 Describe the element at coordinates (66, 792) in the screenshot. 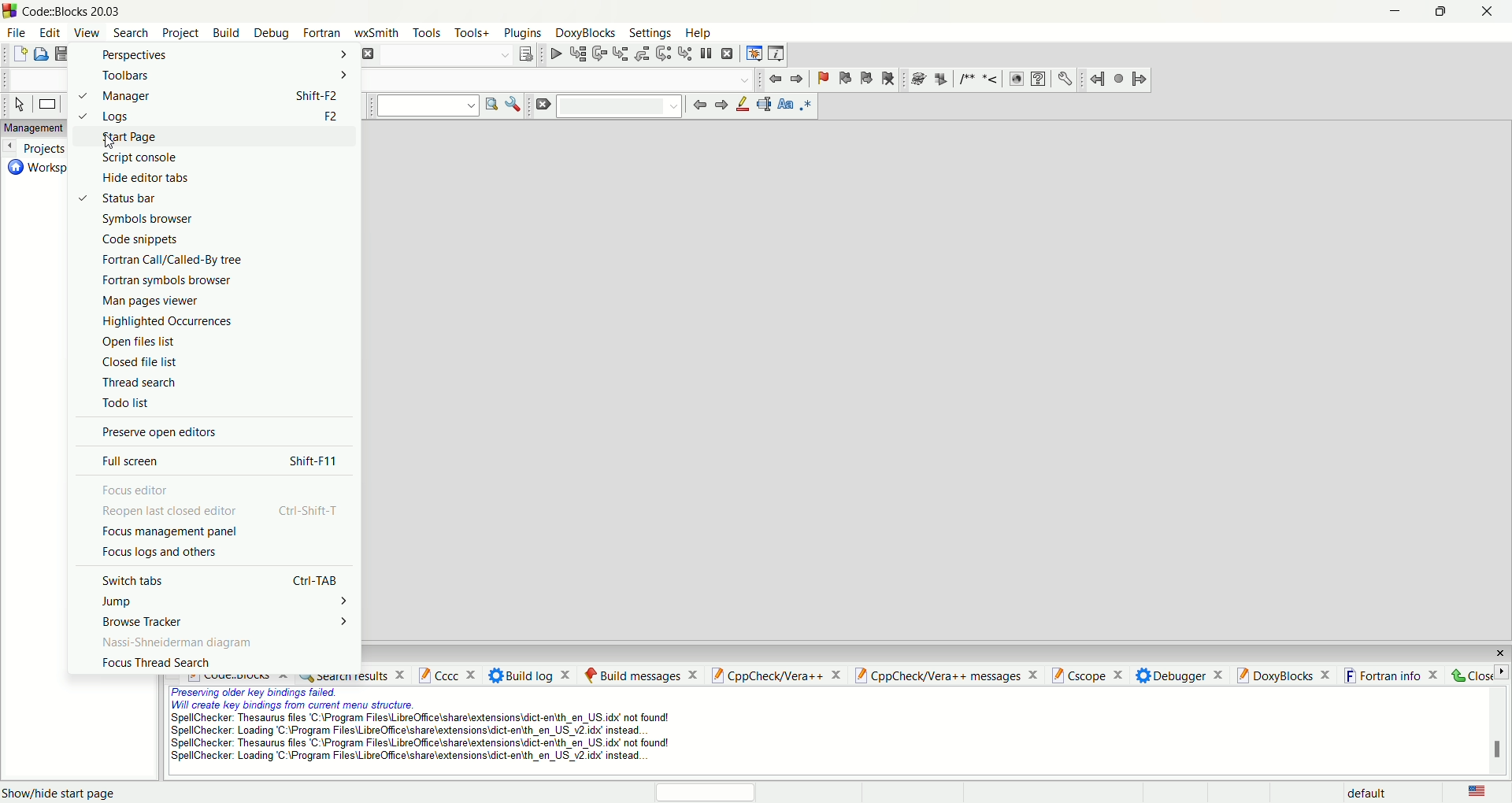

I see `Show/hide start page` at that location.